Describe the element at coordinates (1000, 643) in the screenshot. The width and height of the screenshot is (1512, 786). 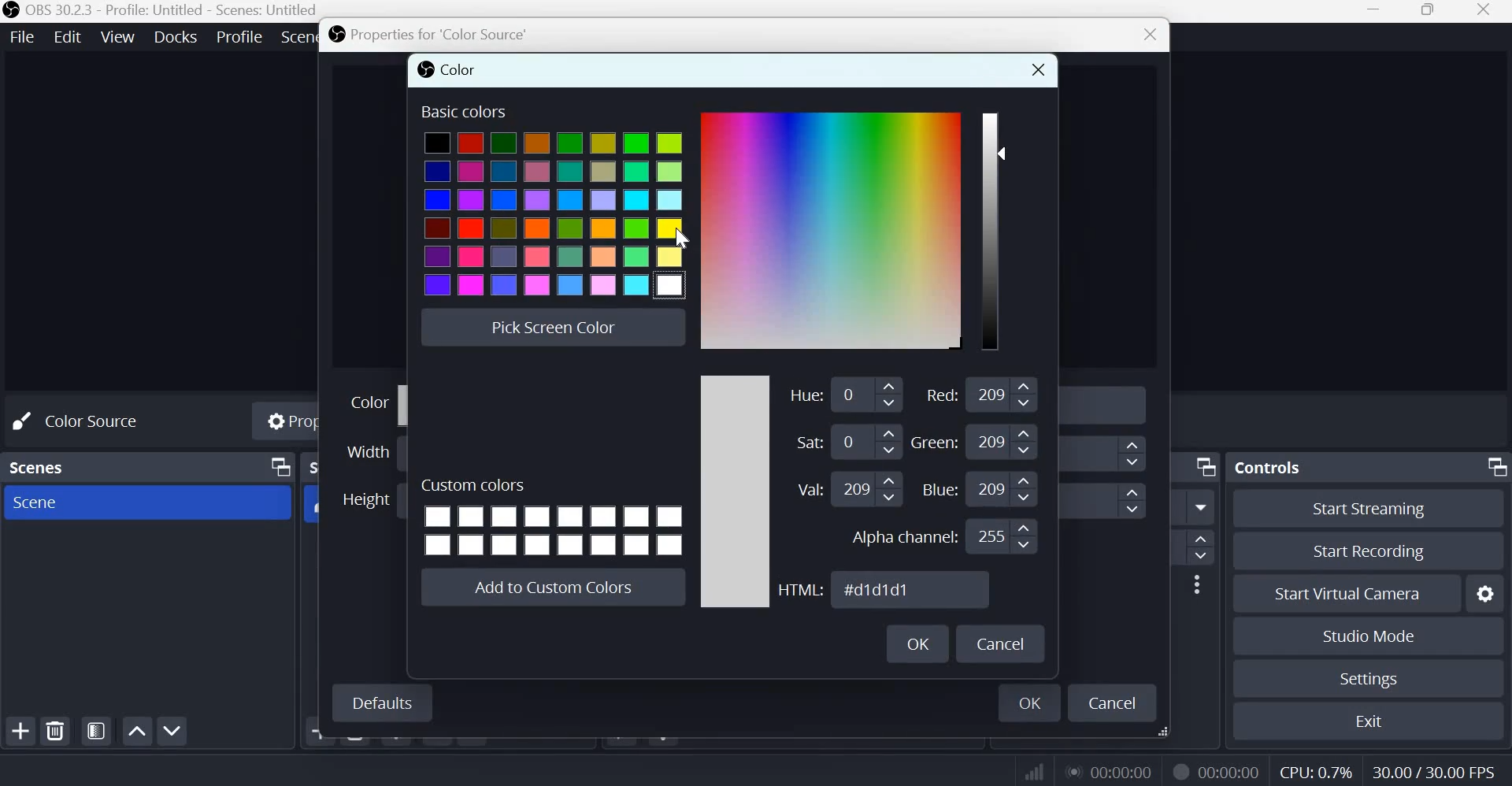
I see `Cancel` at that location.